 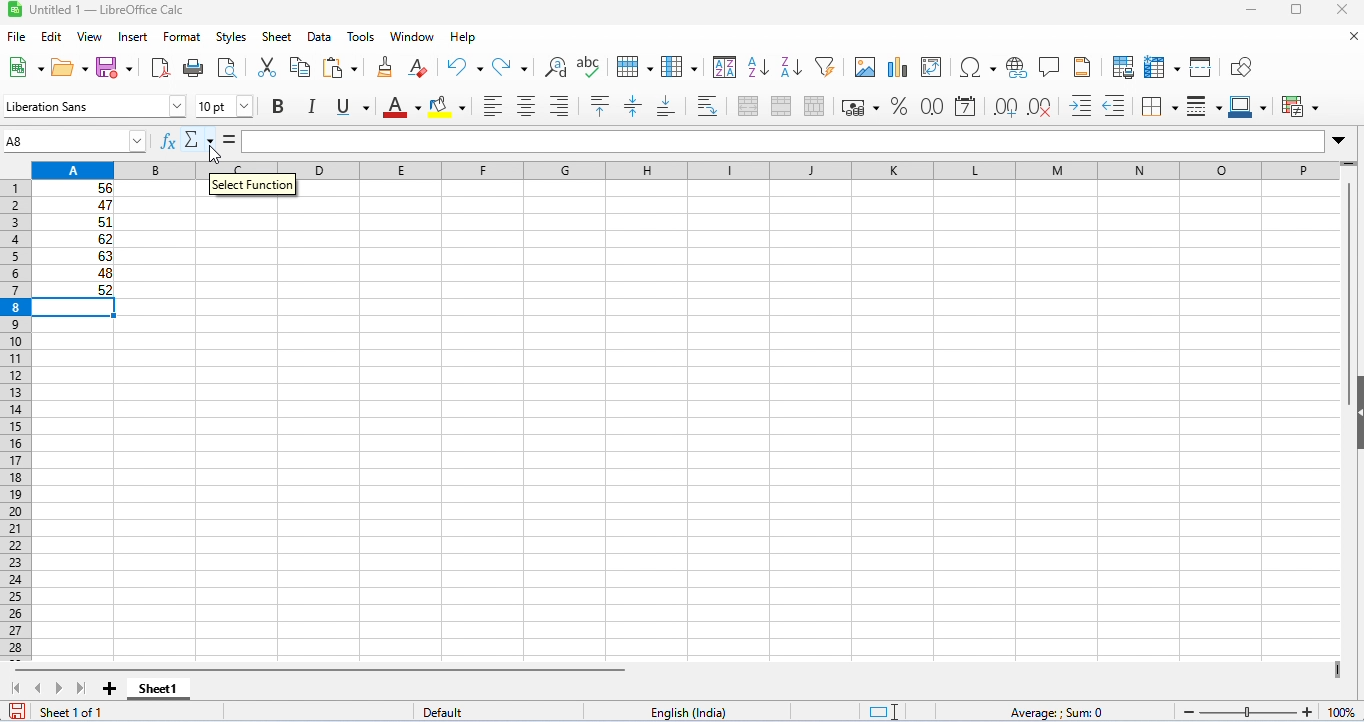 I want to click on add decimal place, so click(x=1004, y=107).